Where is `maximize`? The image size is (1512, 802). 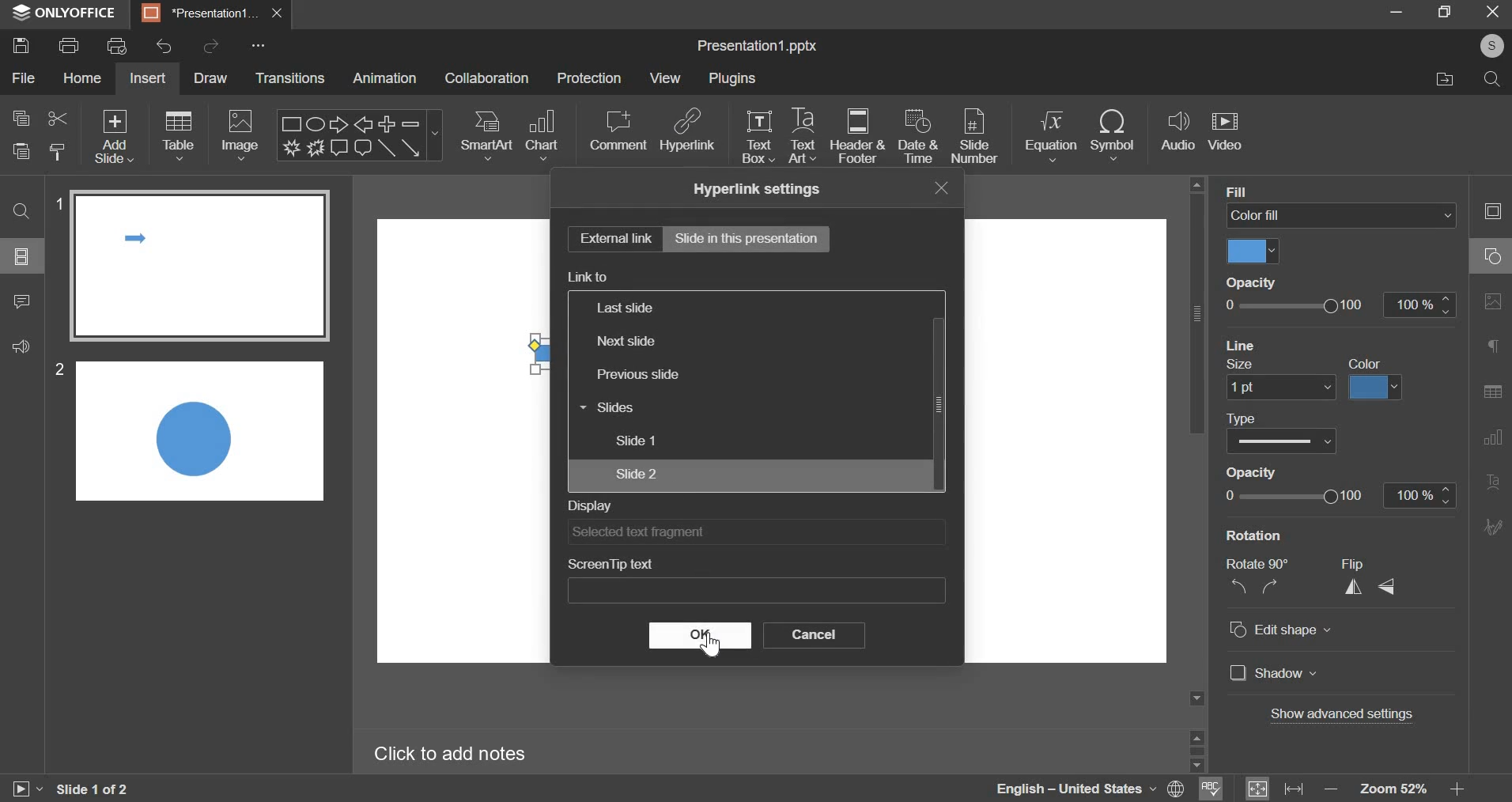
maximize is located at coordinates (1445, 11).